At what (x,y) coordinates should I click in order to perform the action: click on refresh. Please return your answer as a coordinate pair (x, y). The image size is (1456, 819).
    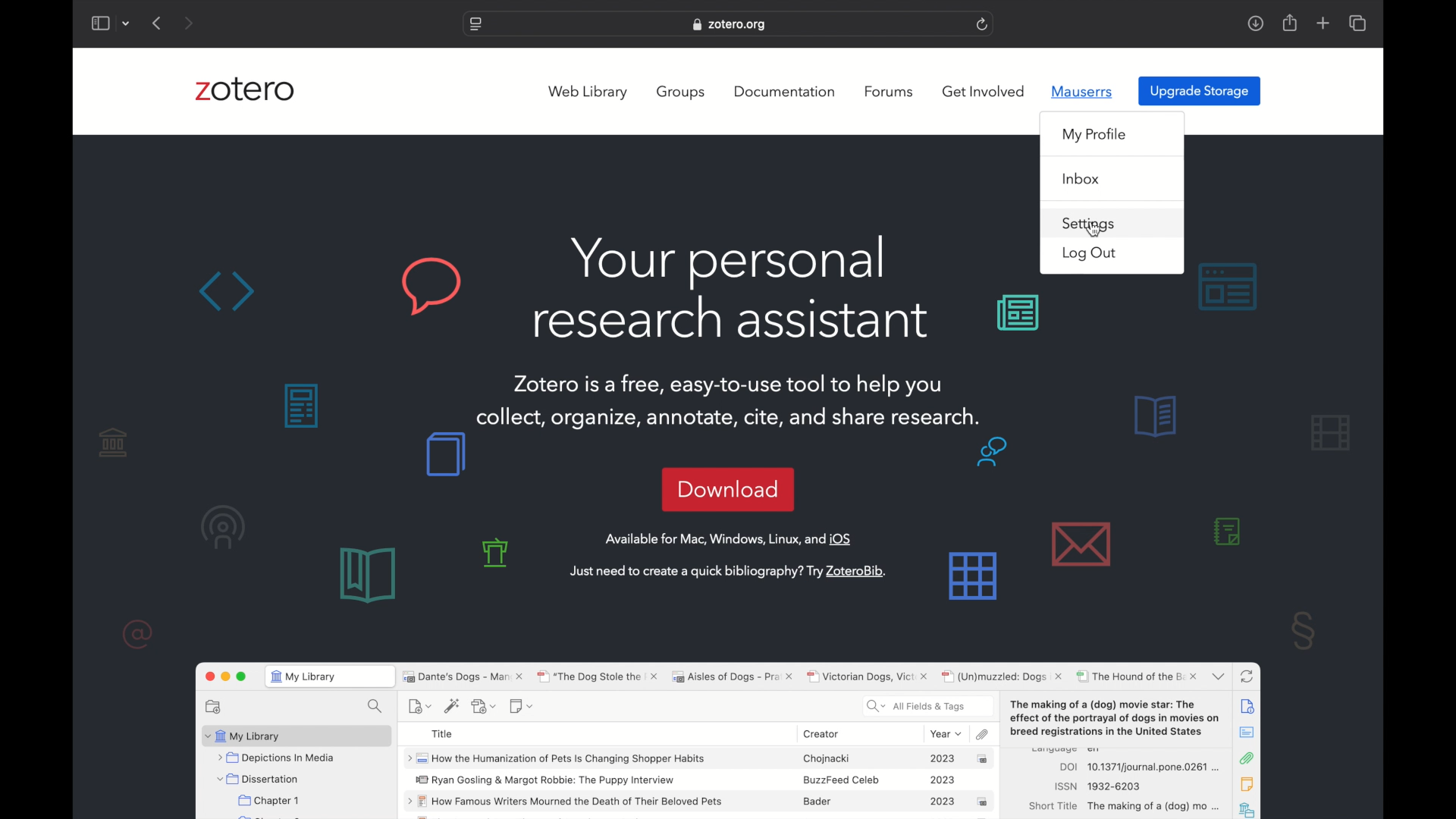
    Looking at the image, I should click on (982, 25).